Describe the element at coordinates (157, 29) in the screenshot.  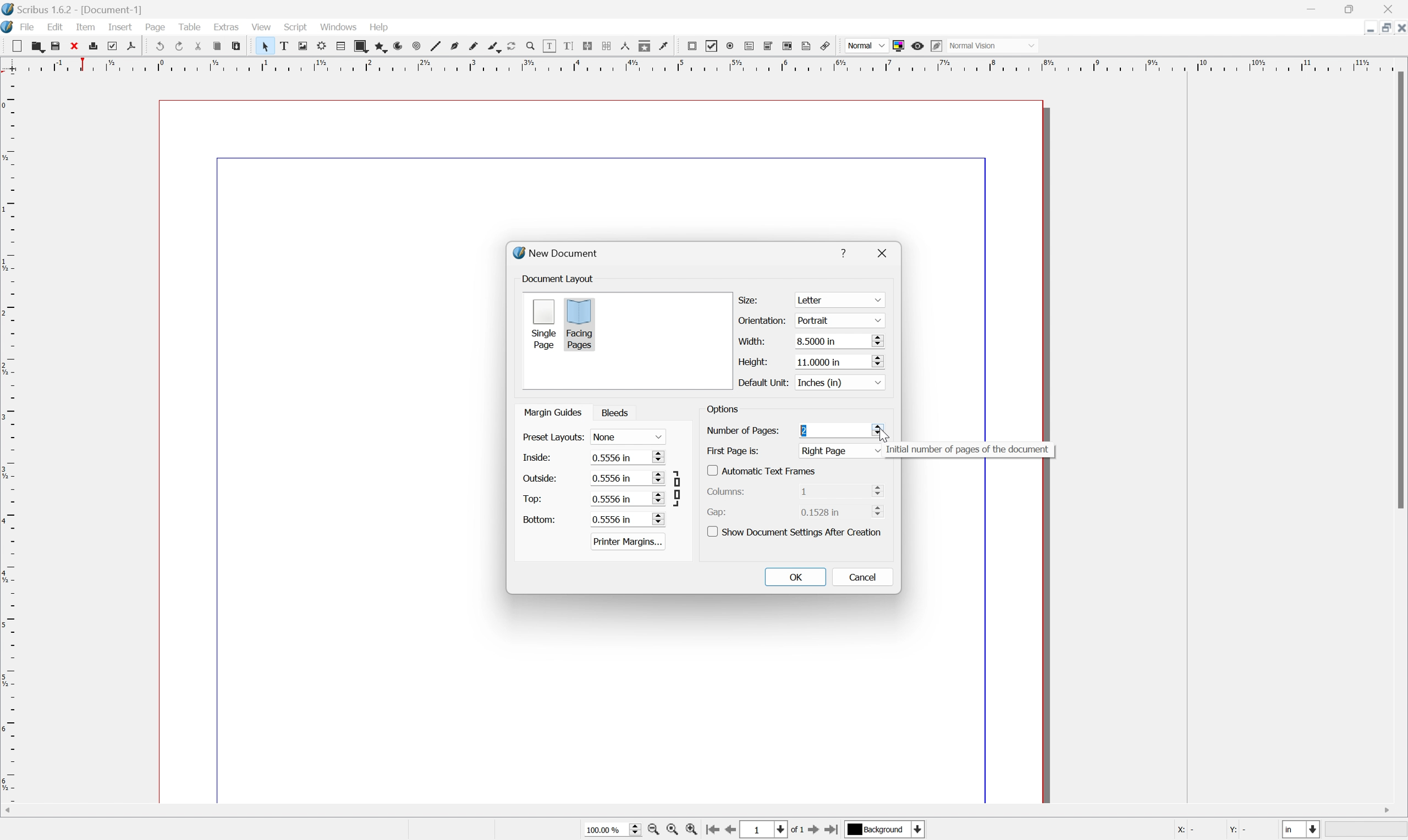
I see `Page` at that location.